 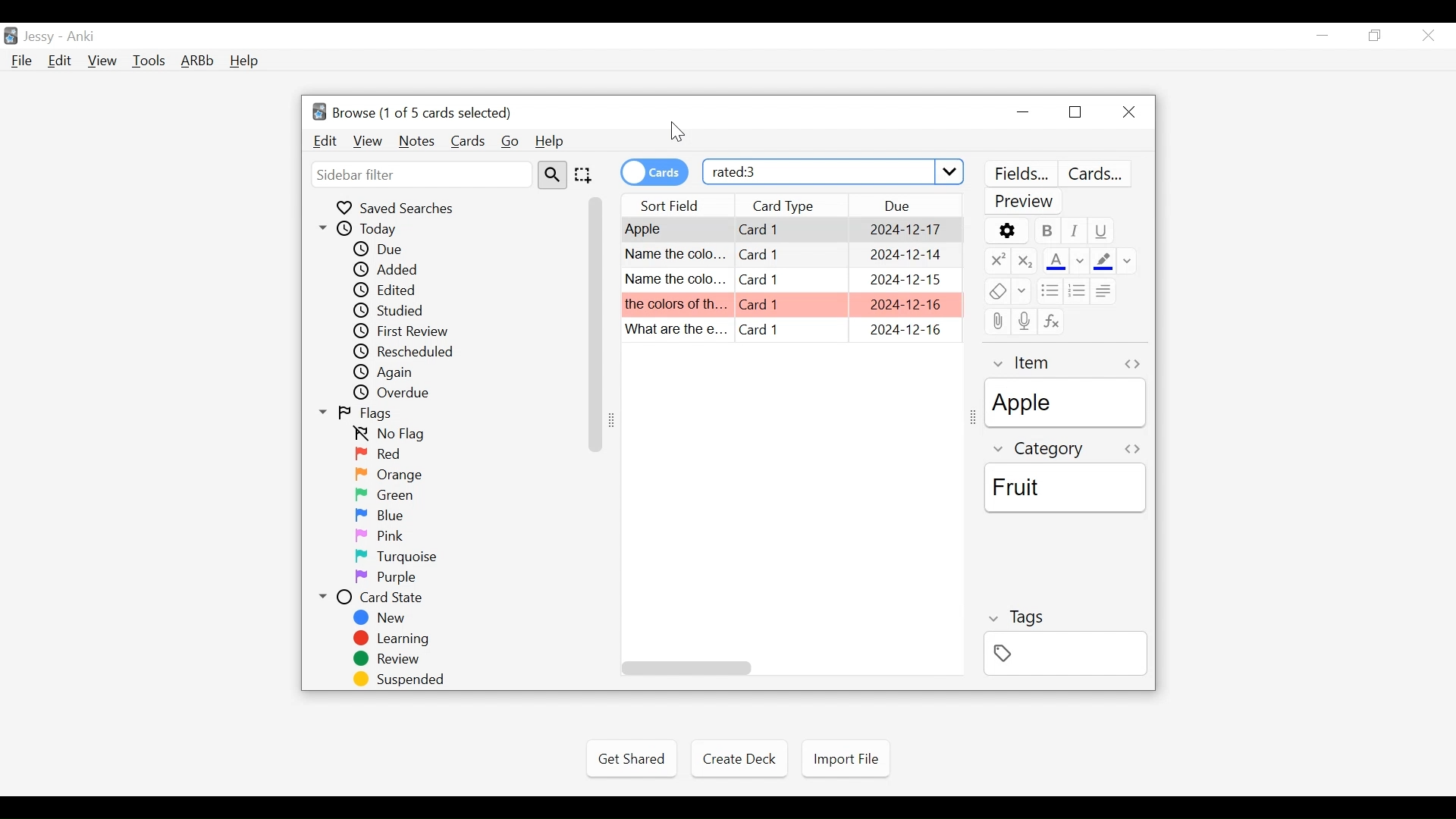 What do you see at coordinates (11, 36) in the screenshot?
I see `Anki Desktop Icon` at bounding box center [11, 36].